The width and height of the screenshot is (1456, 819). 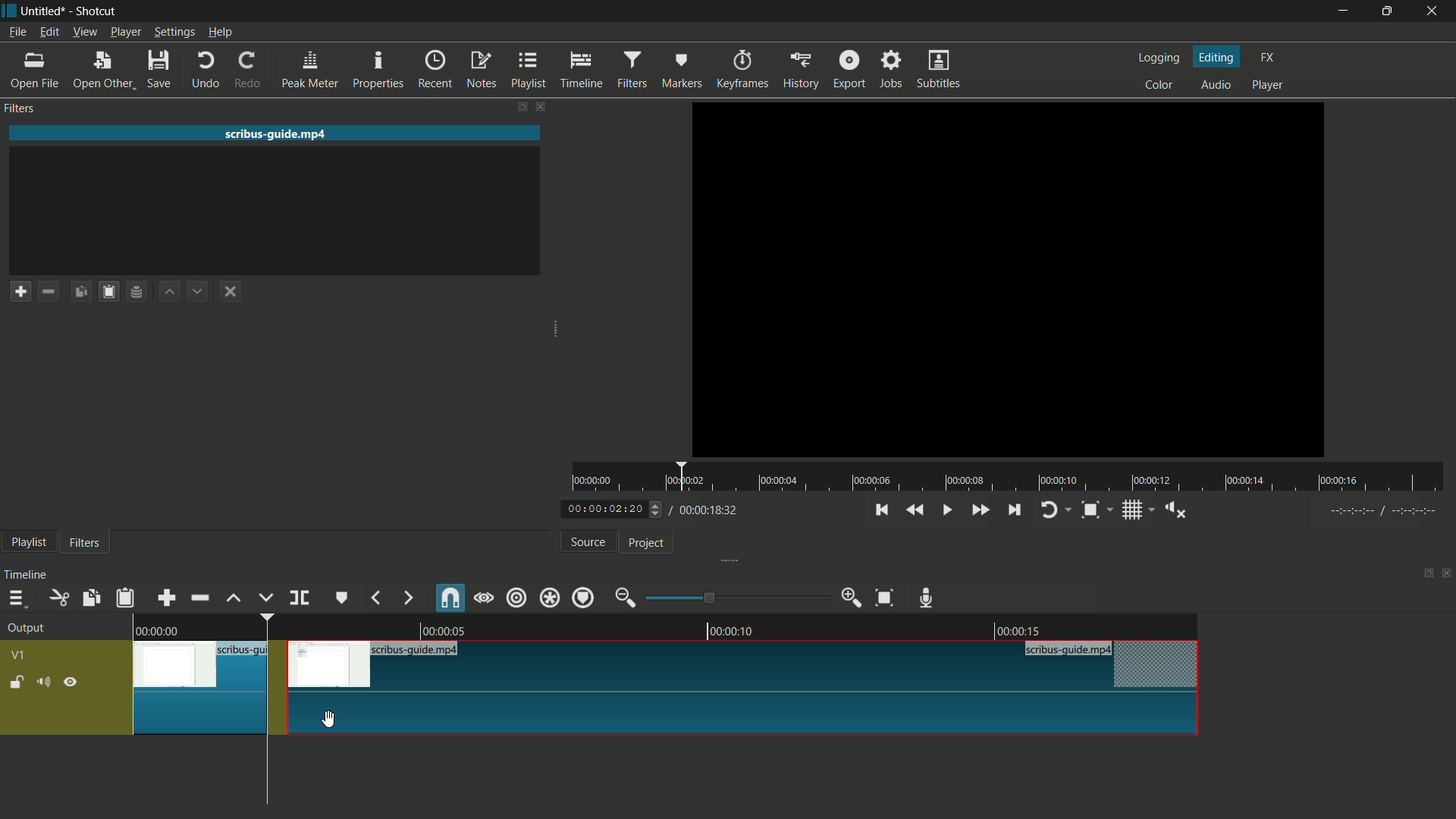 What do you see at coordinates (674, 686) in the screenshot?
I see `video in timeline` at bounding box center [674, 686].